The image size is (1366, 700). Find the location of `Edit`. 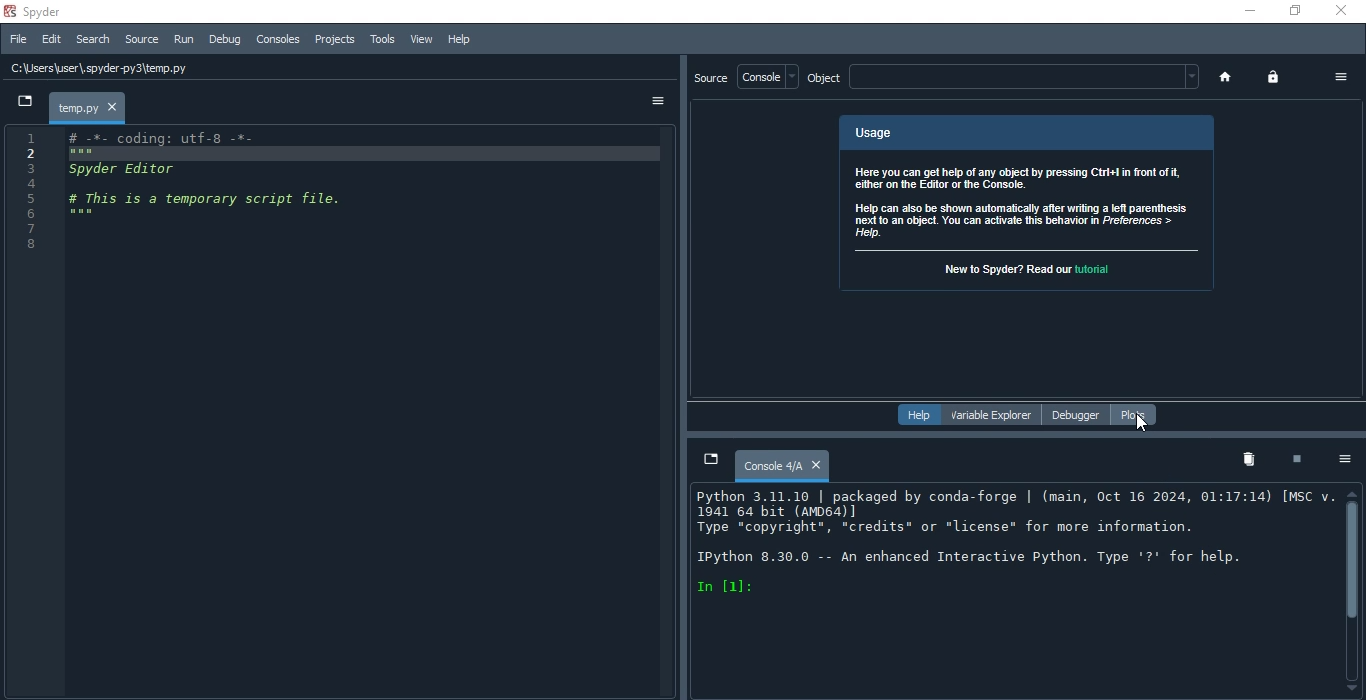

Edit is located at coordinates (49, 40).